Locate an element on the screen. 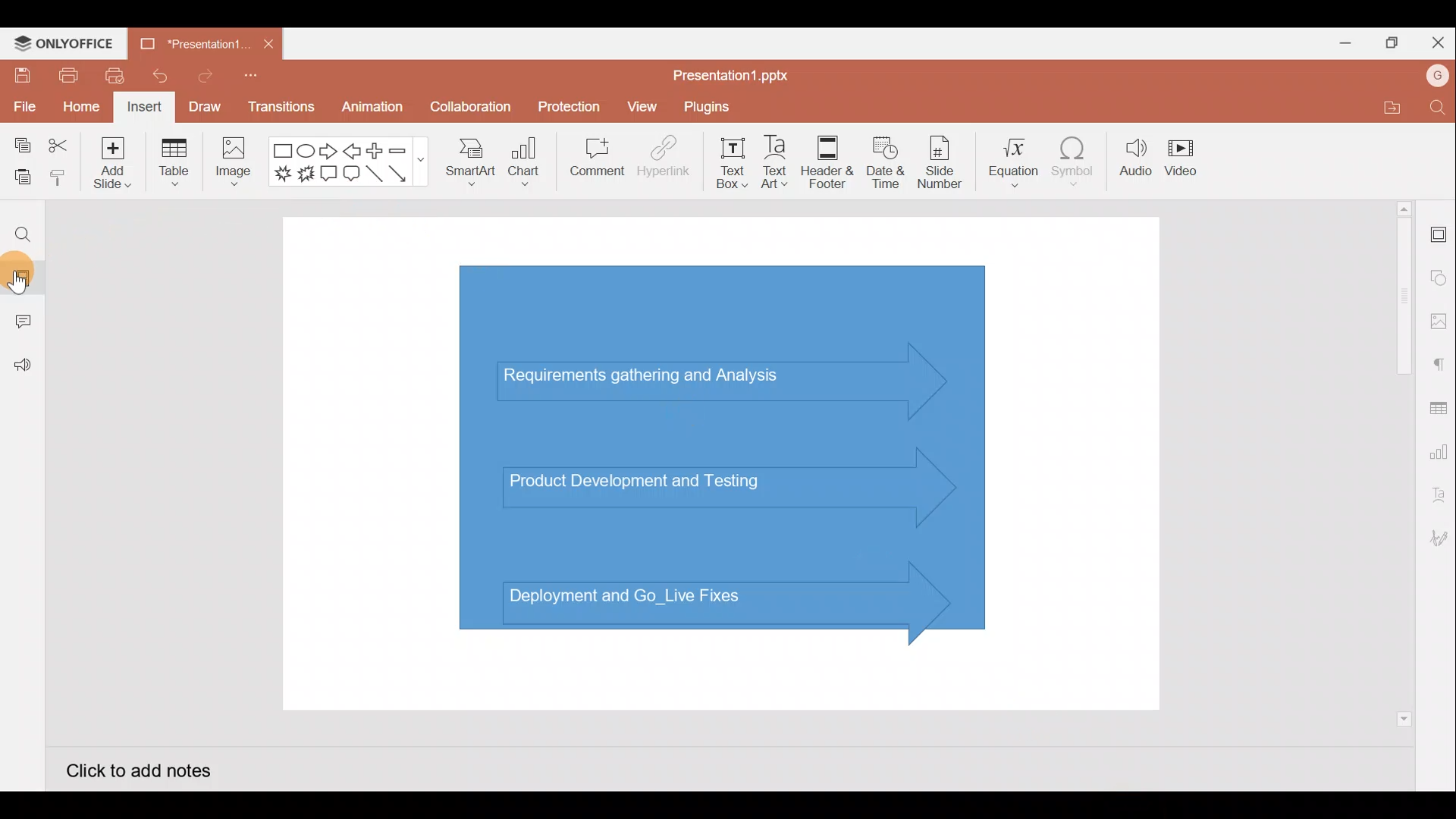  Home is located at coordinates (80, 108).